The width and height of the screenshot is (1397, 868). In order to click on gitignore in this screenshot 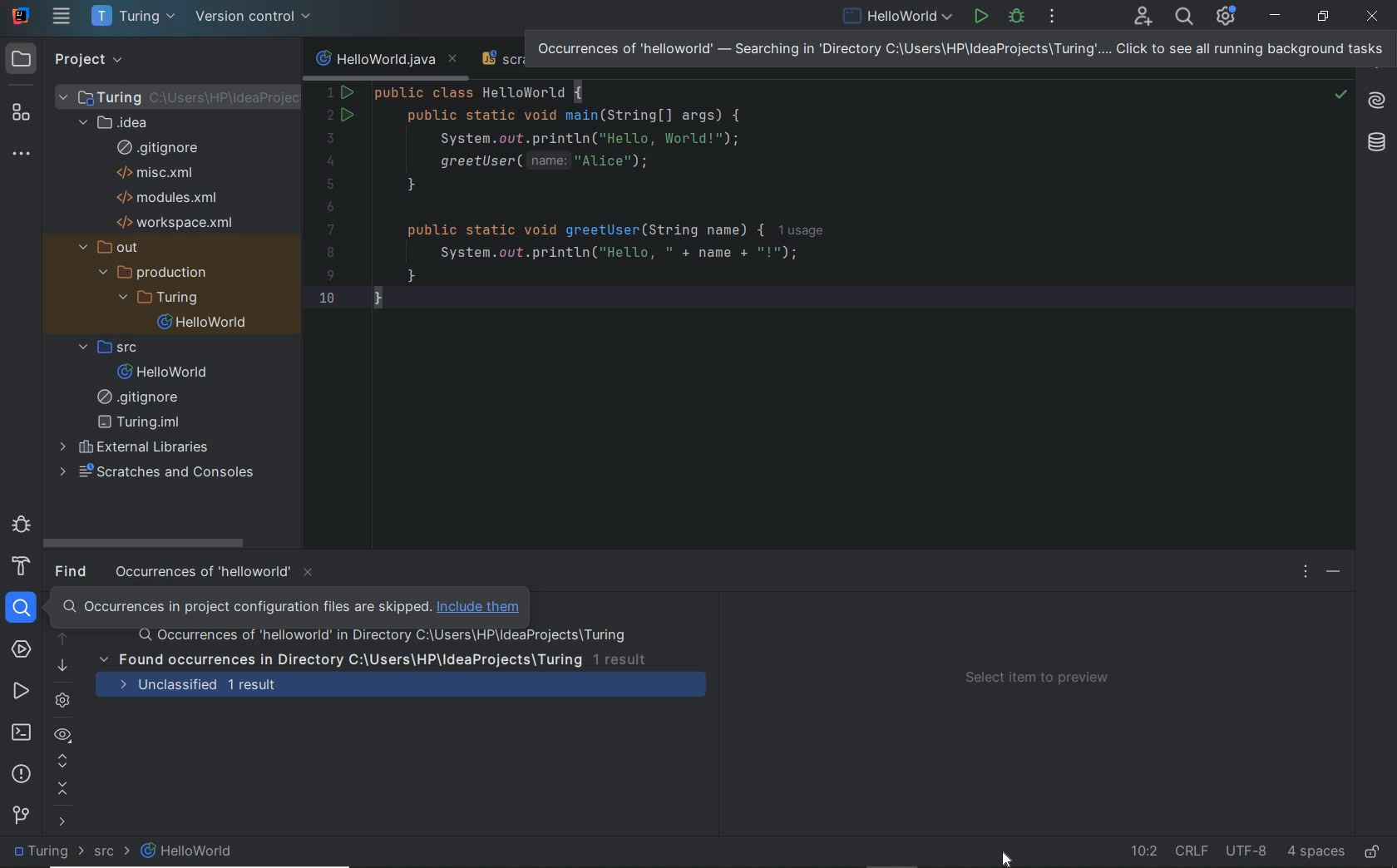, I will do `click(141, 400)`.